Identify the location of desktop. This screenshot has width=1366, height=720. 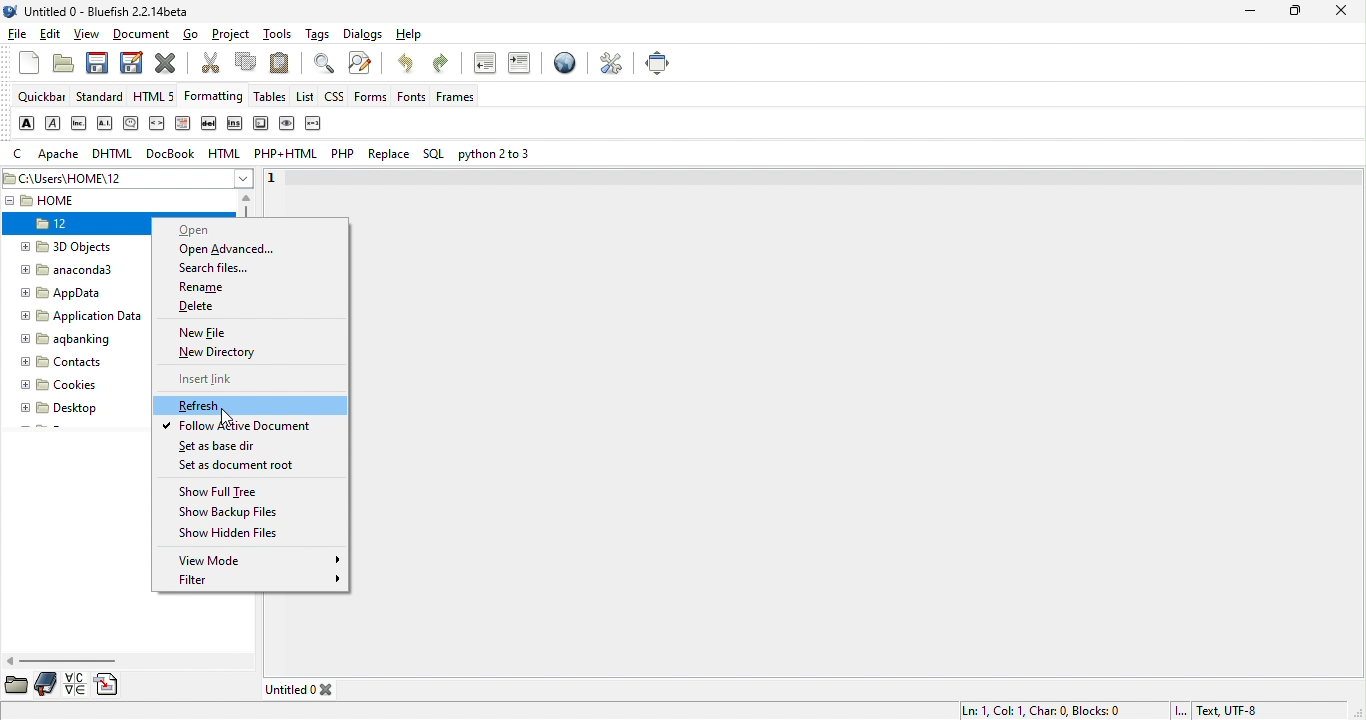
(66, 407).